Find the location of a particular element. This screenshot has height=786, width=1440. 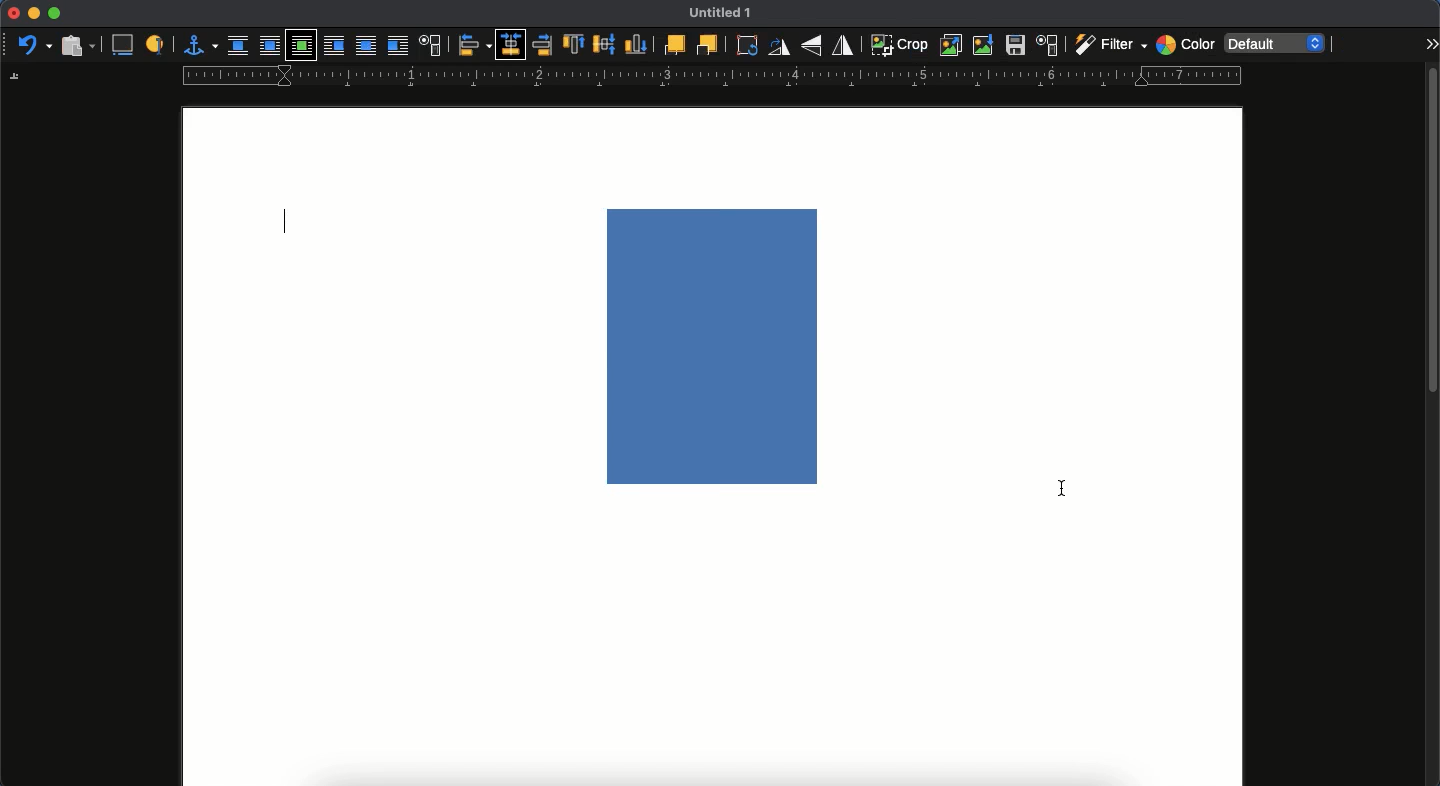

optimal is located at coordinates (300, 46).